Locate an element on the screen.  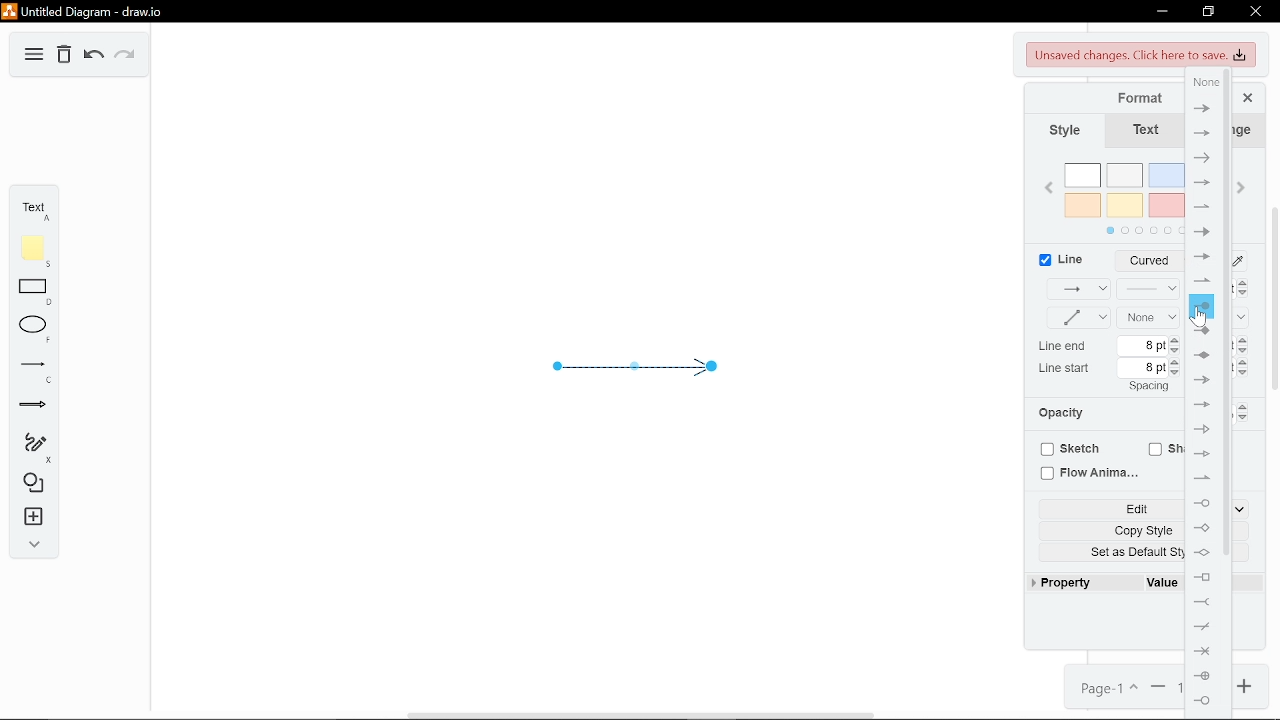
Shapes is located at coordinates (33, 485).